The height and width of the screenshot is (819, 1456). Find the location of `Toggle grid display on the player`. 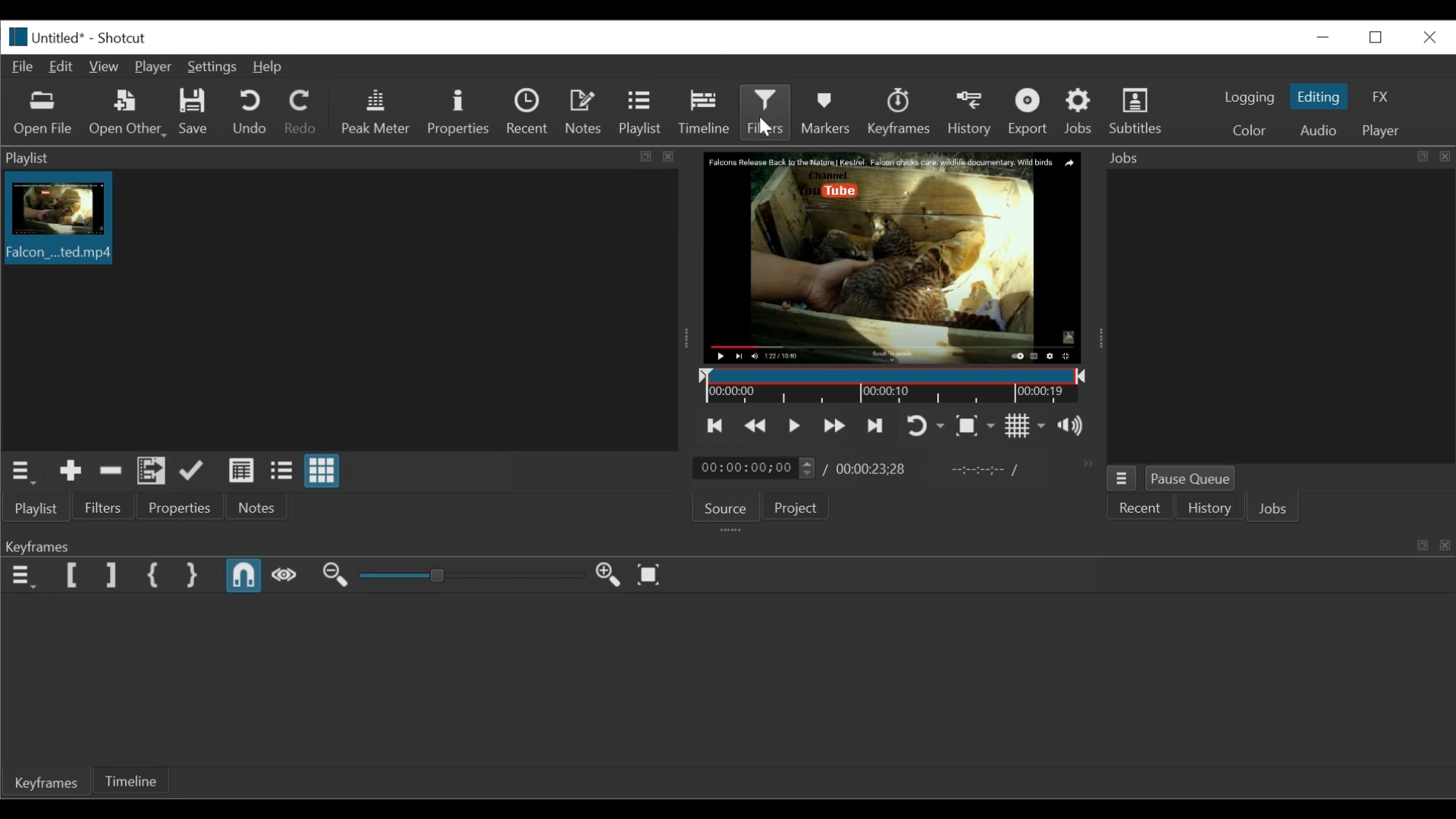

Toggle grid display on the player is located at coordinates (1026, 426).